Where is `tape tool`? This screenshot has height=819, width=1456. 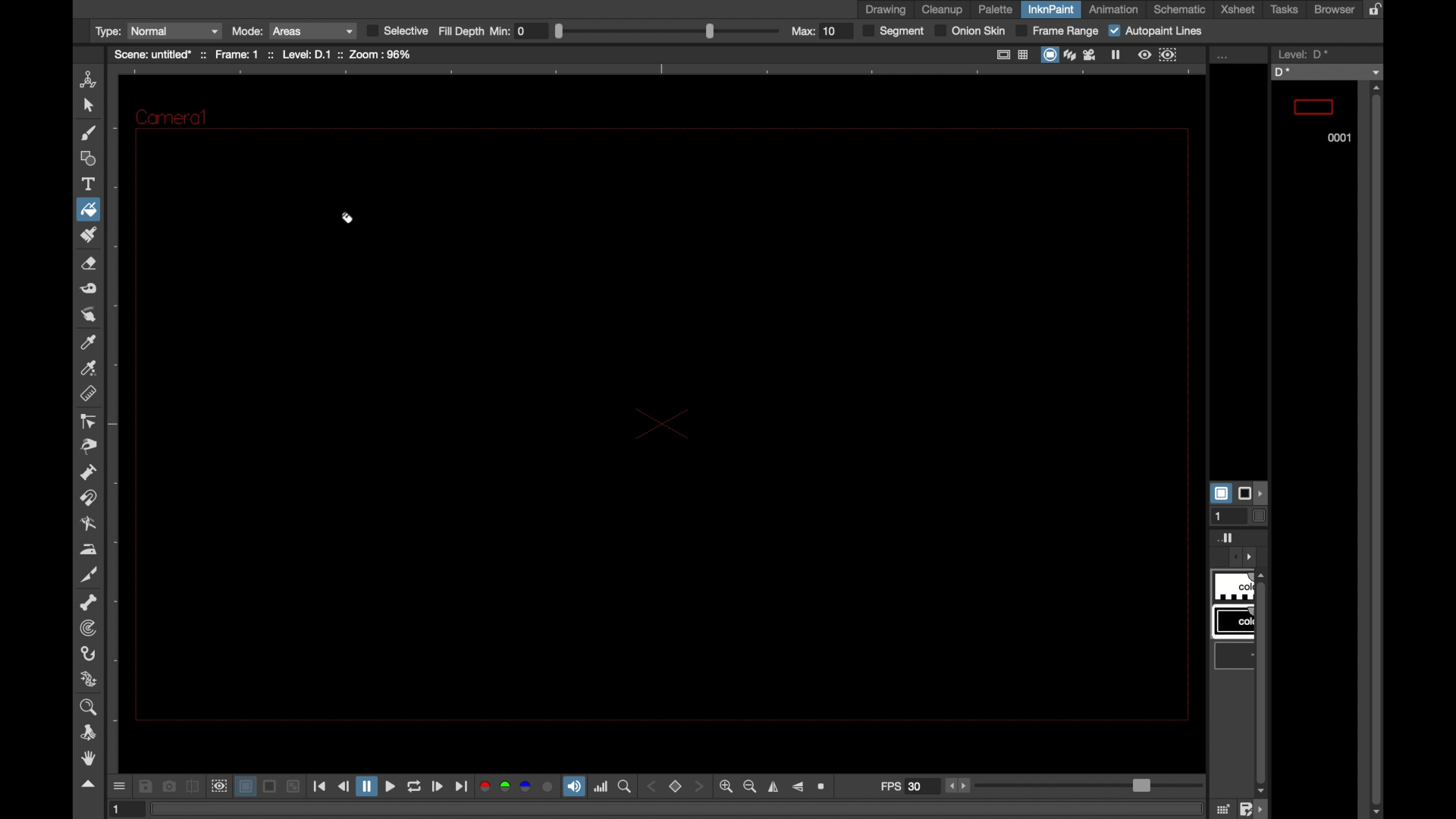 tape tool is located at coordinates (87, 289).